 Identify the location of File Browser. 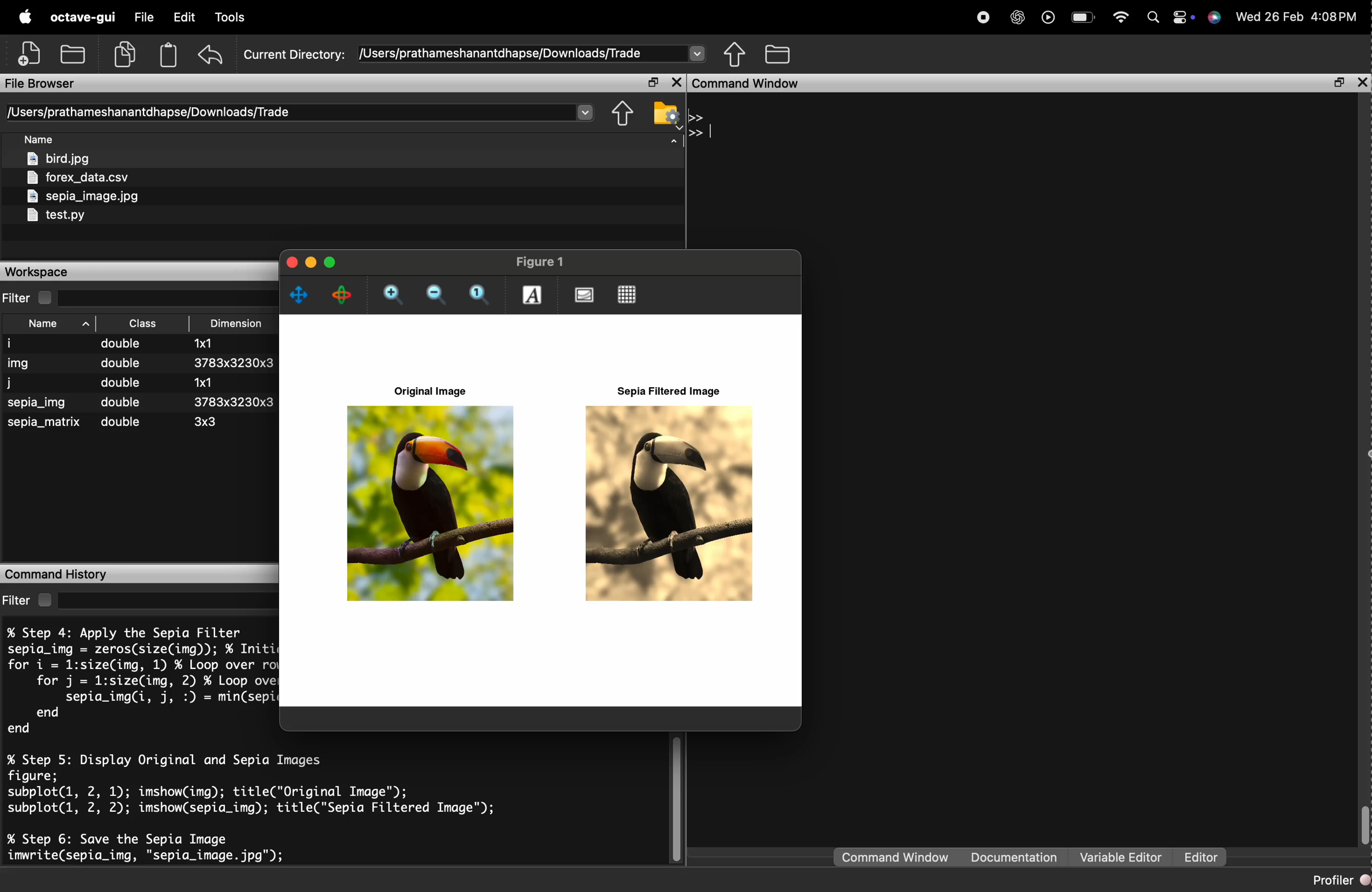
(42, 84).